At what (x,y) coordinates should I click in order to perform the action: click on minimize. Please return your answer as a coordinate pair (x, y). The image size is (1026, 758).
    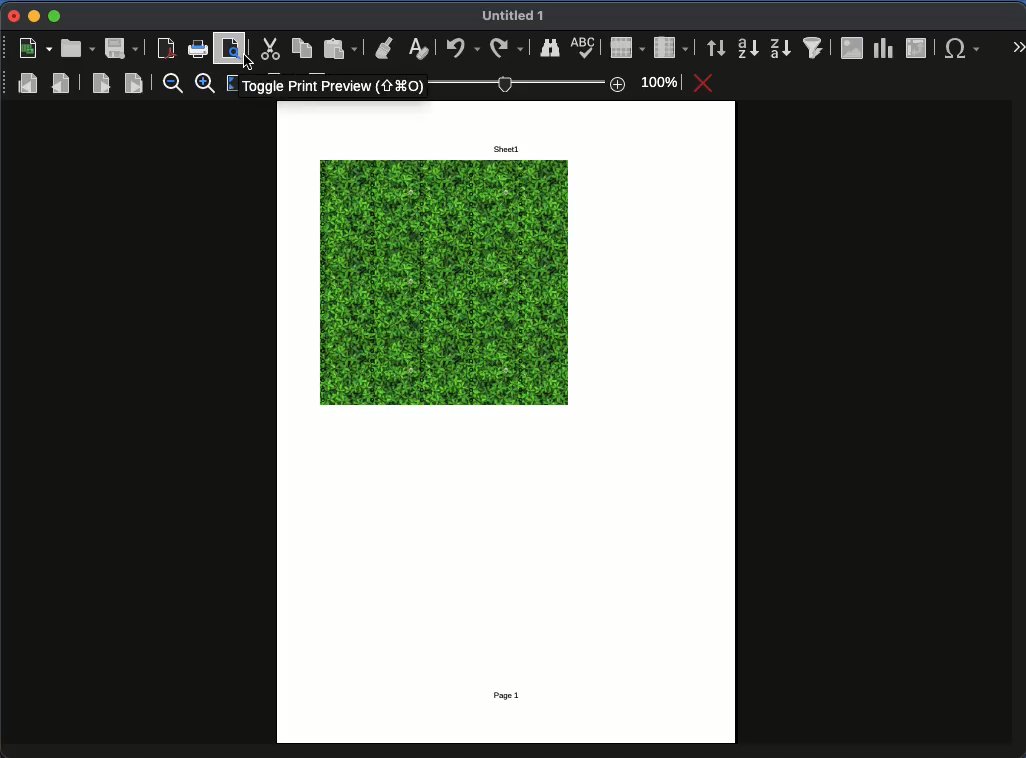
    Looking at the image, I should click on (33, 16).